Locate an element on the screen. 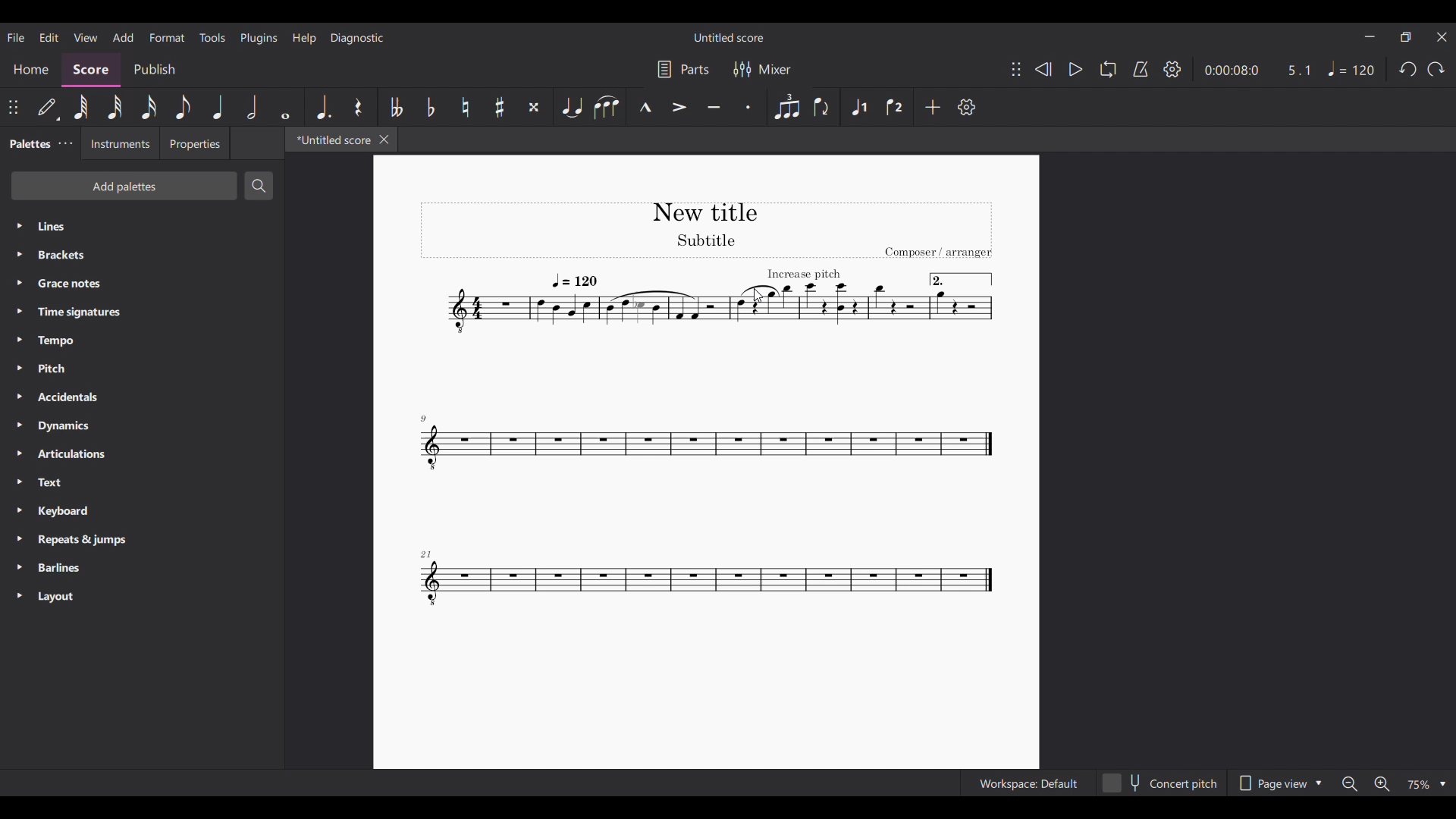 The width and height of the screenshot is (1456, 819). Edit menu is located at coordinates (49, 37).